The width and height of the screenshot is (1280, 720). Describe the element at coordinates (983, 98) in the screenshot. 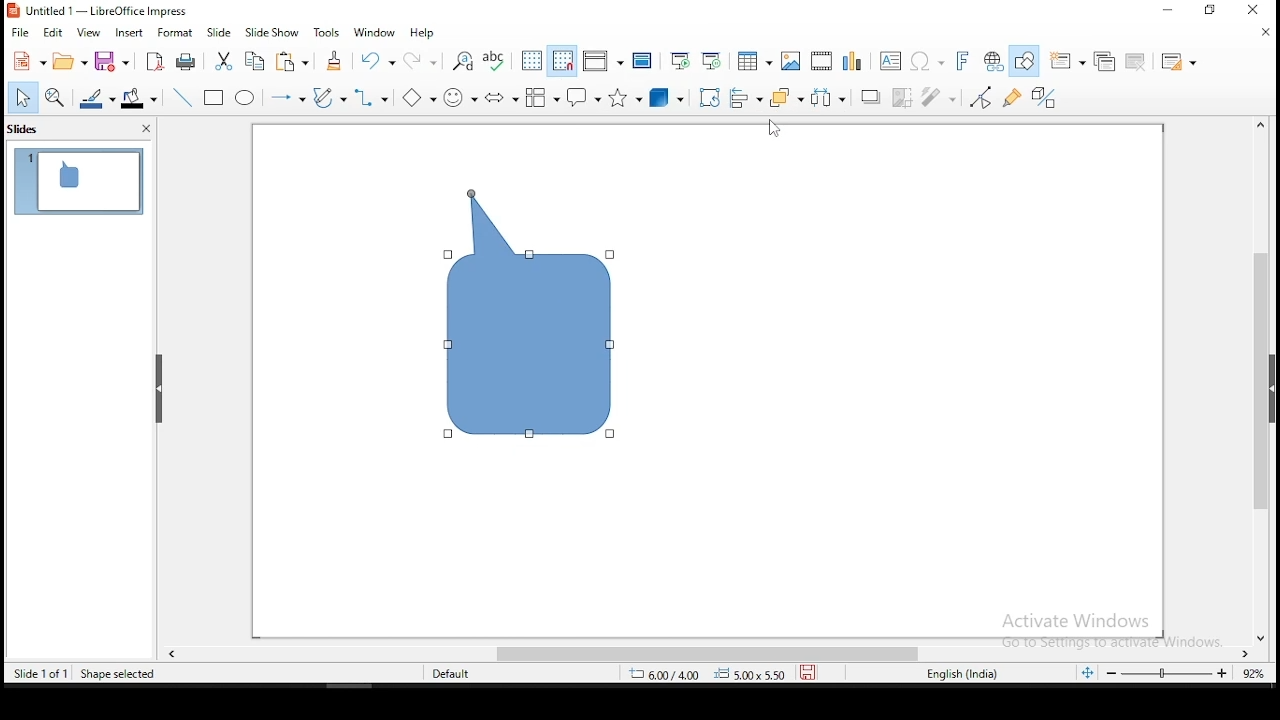

I see `toggle point edit mode` at that location.